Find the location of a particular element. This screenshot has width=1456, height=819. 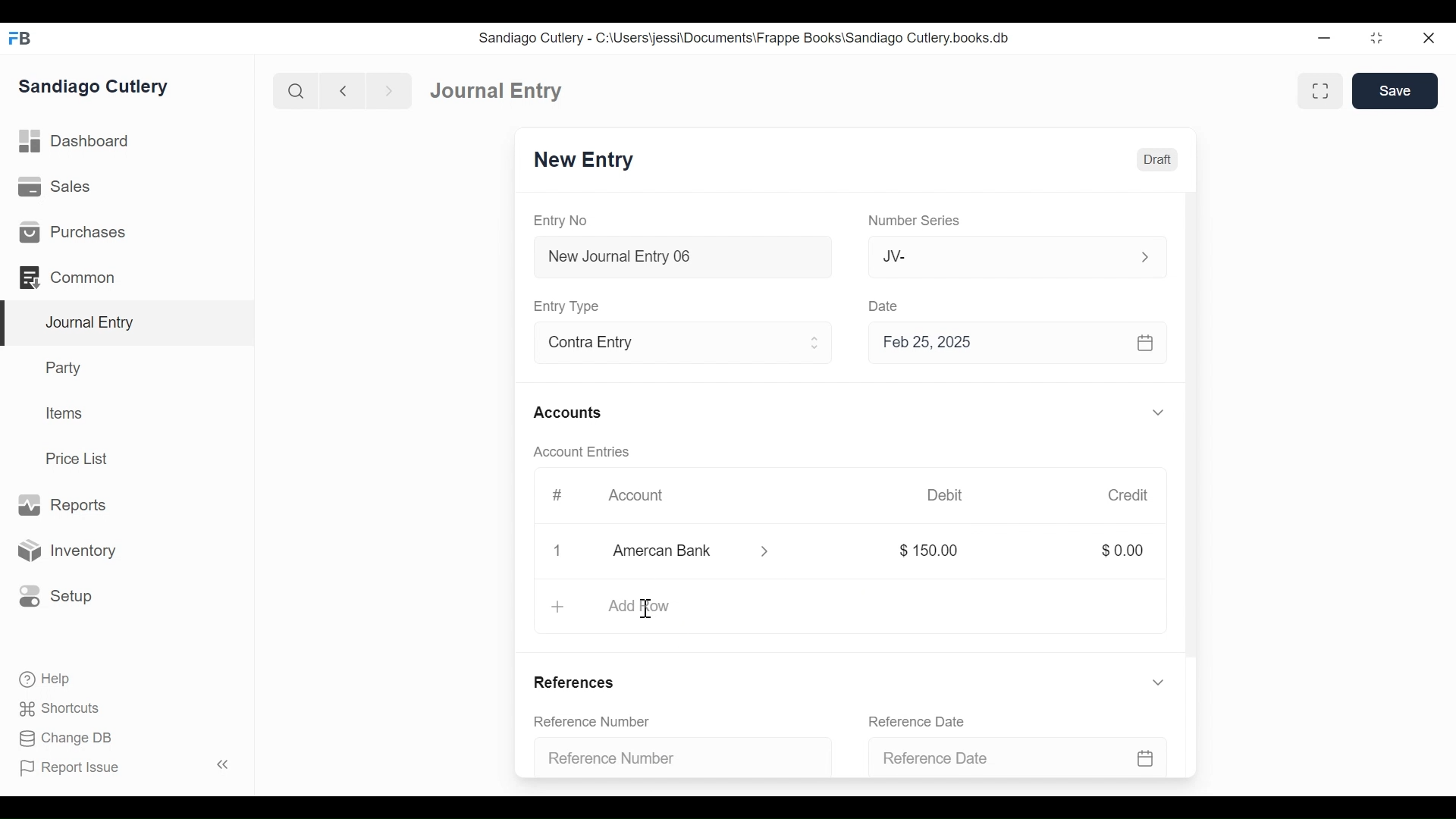

Help is located at coordinates (43, 678).